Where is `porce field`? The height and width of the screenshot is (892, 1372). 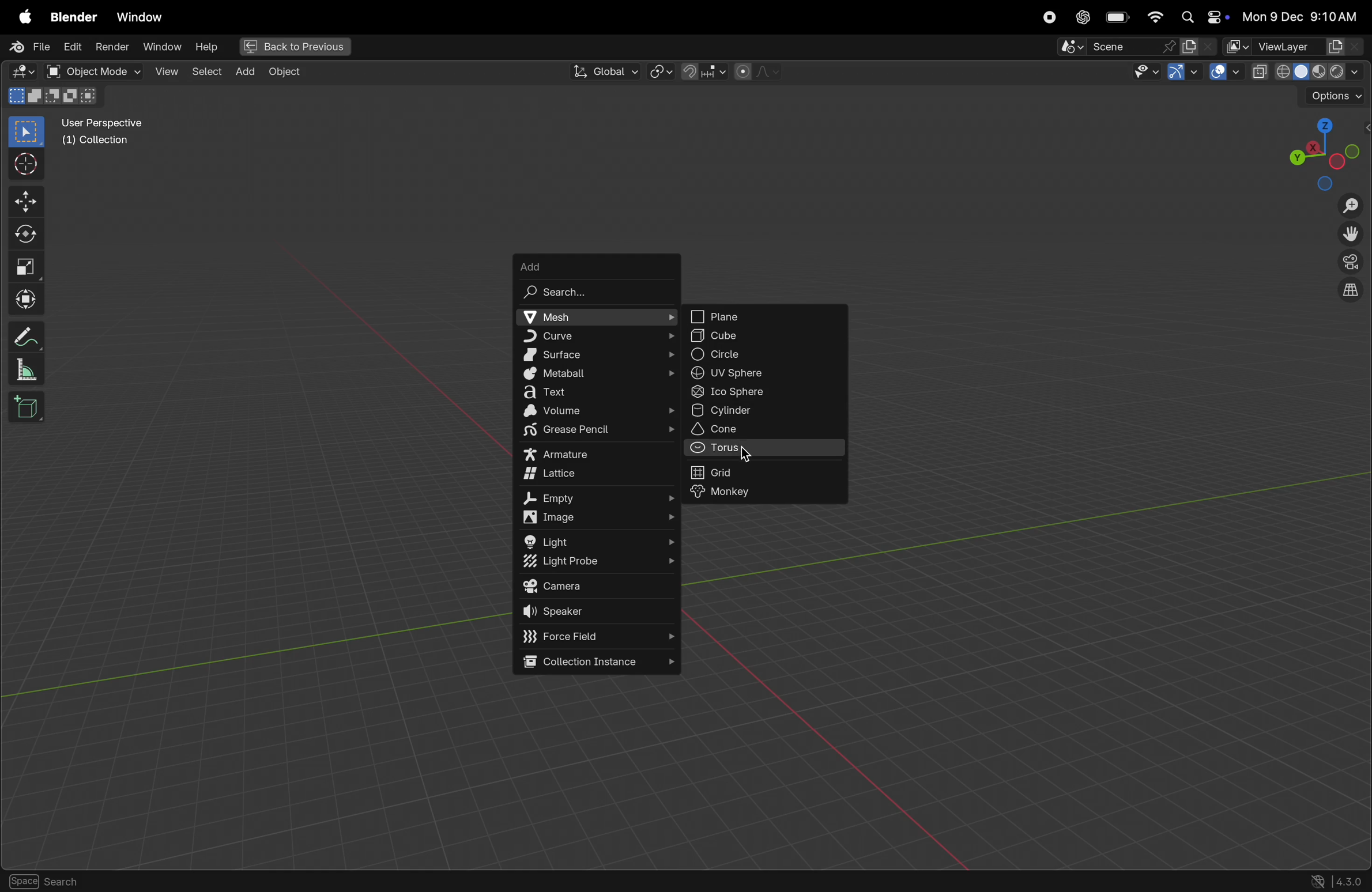 porce field is located at coordinates (600, 637).